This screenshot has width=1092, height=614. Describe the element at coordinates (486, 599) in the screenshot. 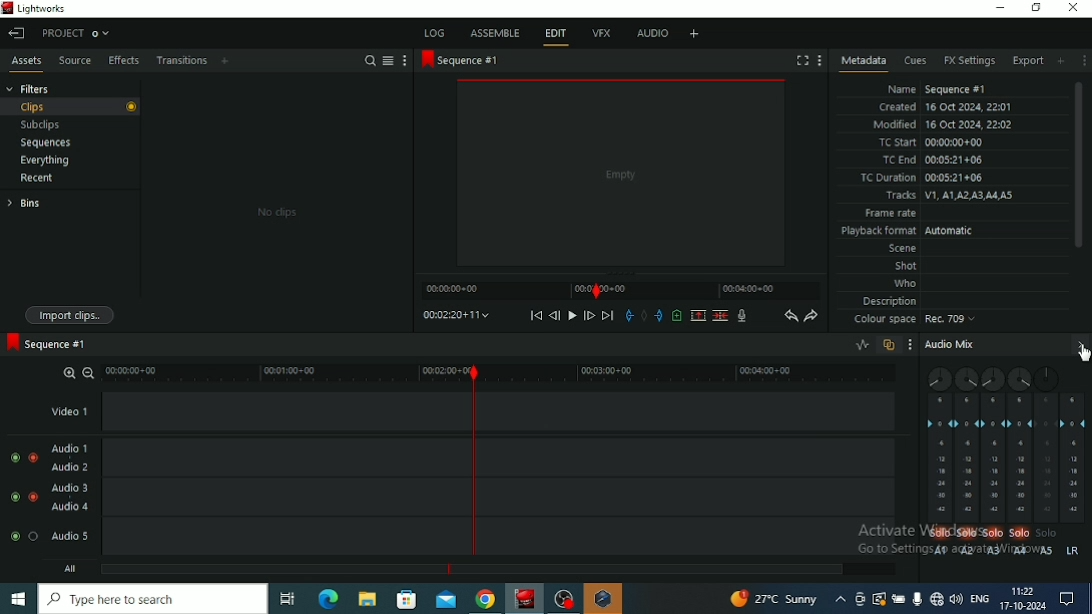

I see `Google Chrome` at that location.